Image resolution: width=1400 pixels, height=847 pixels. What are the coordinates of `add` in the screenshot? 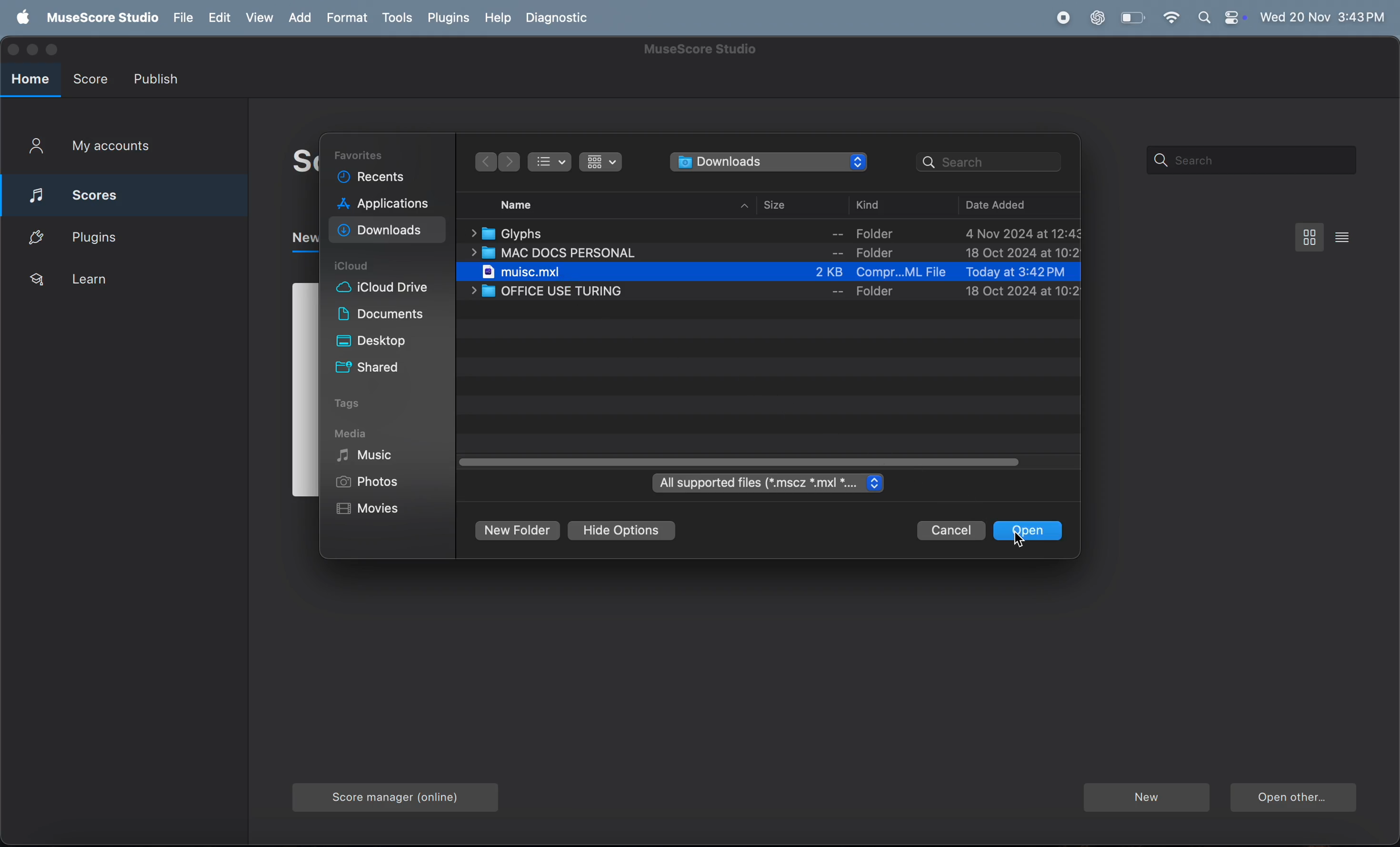 It's located at (299, 17).